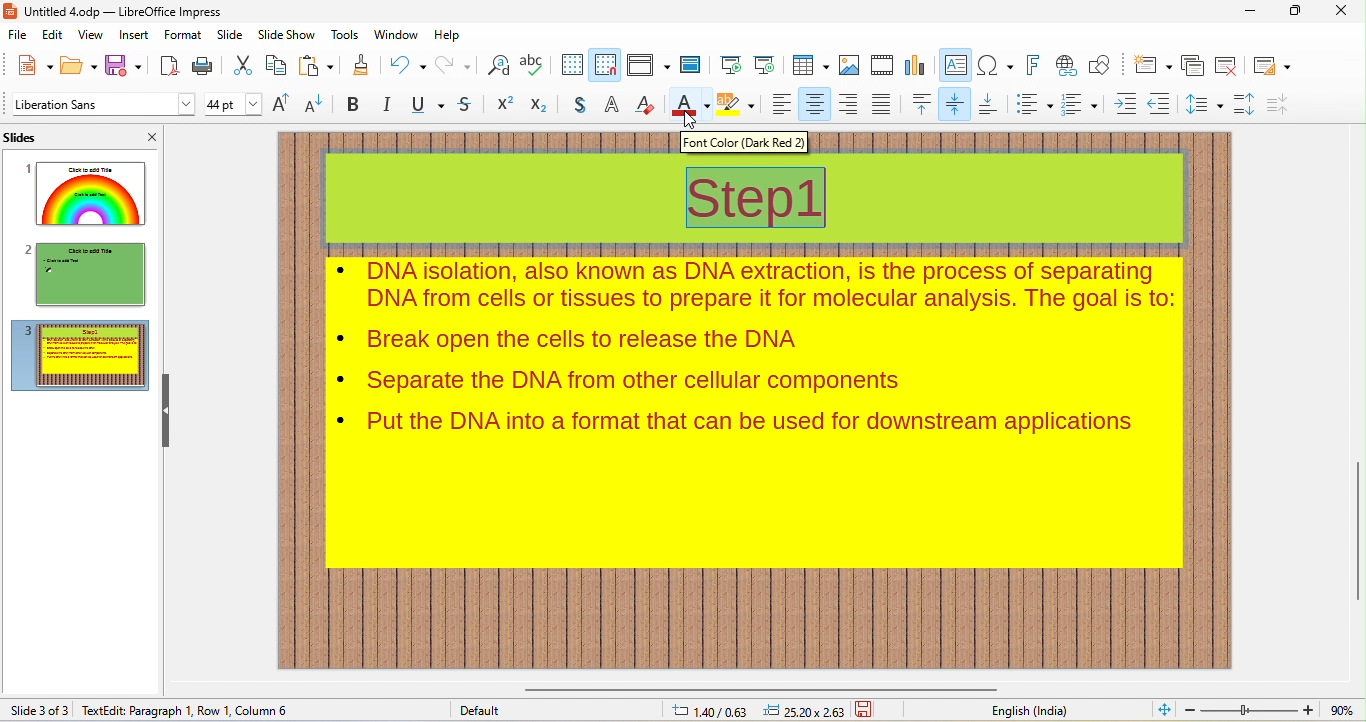  What do you see at coordinates (191, 710) in the screenshot?
I see `text edit: paragraph 1, Row 1, Column 1` at bounding box center [191, 710].